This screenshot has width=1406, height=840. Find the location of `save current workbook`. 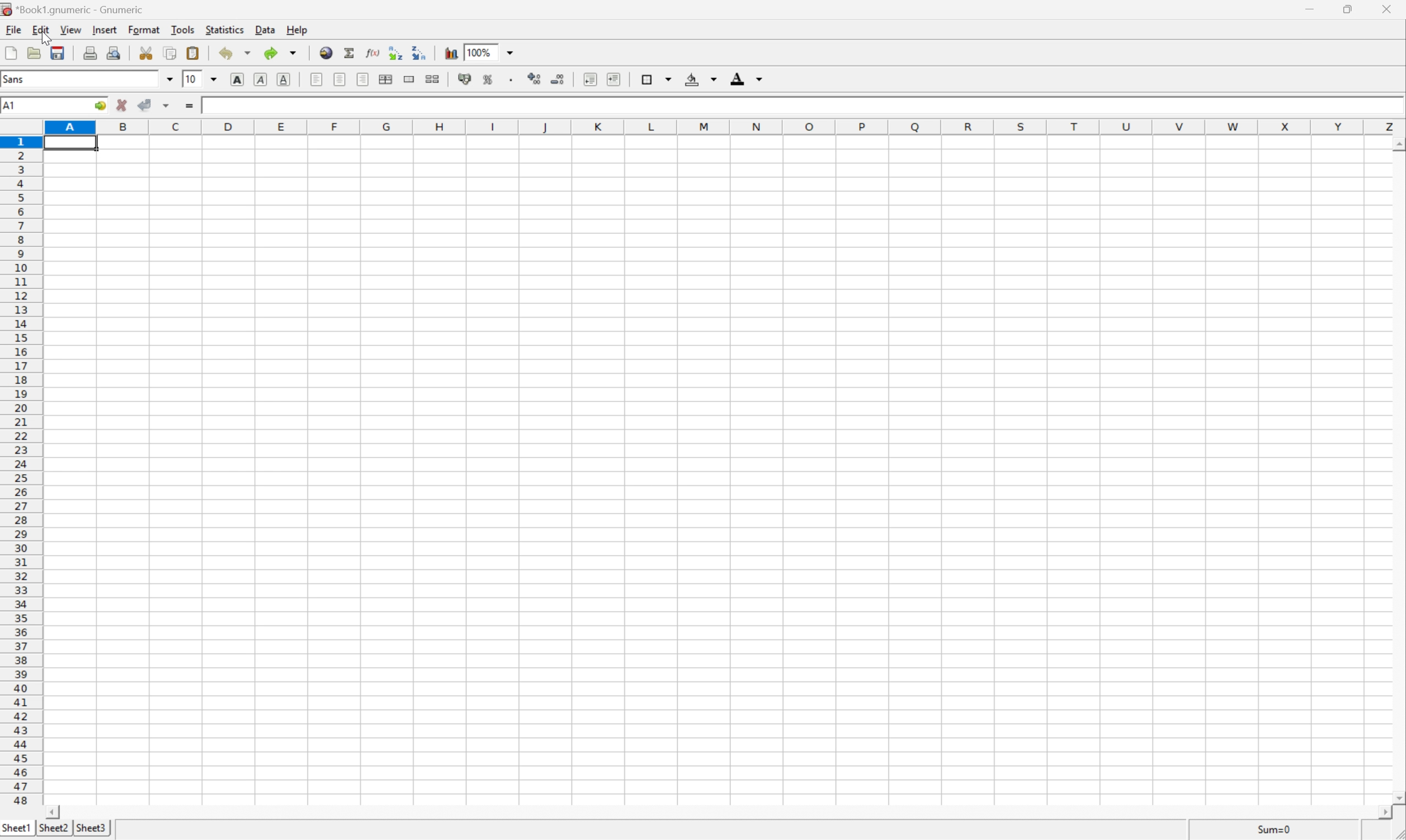

save current workbook is located at coordinates (59, 53).